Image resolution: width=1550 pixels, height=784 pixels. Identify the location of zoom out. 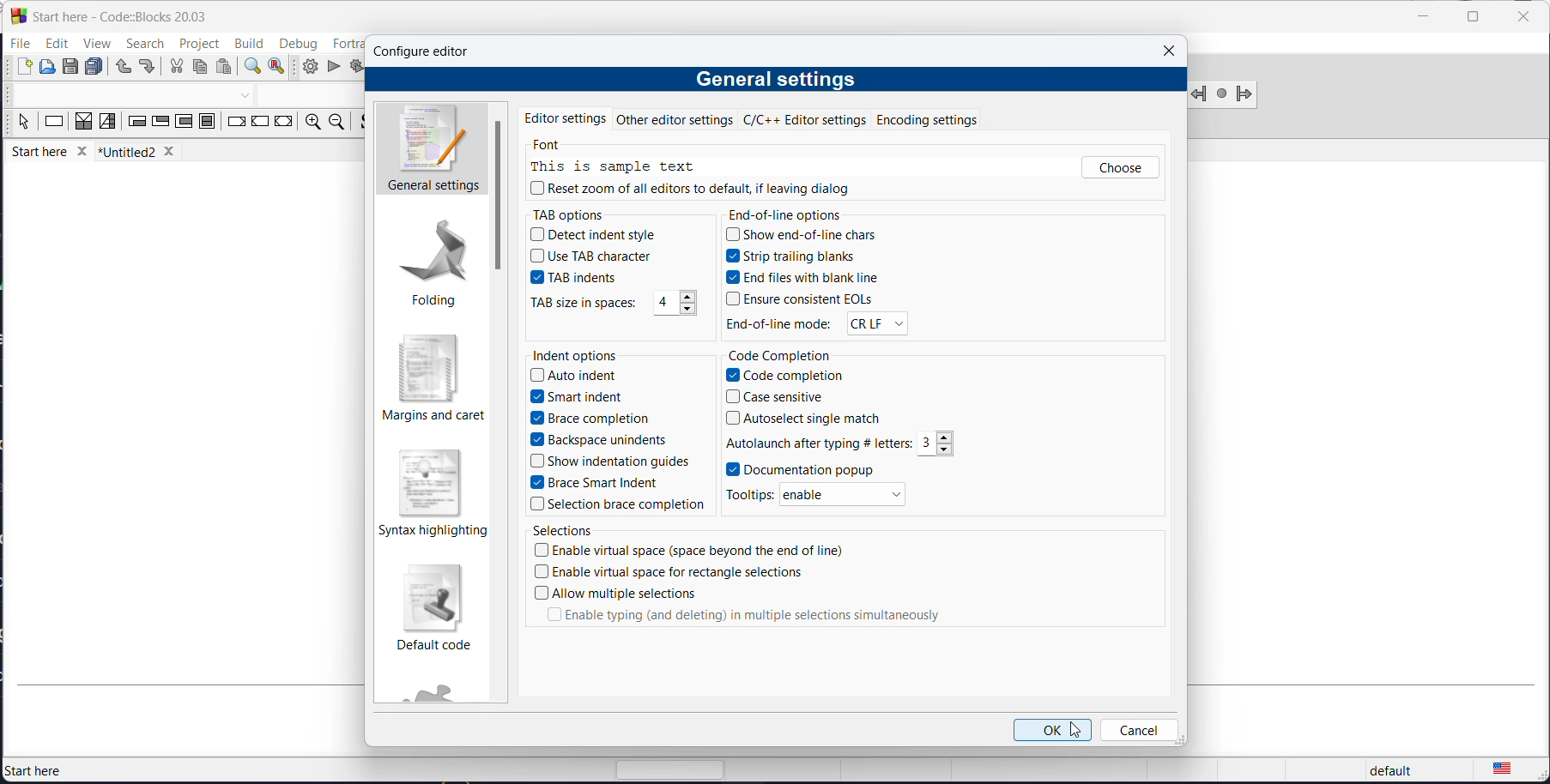
(336, 124).